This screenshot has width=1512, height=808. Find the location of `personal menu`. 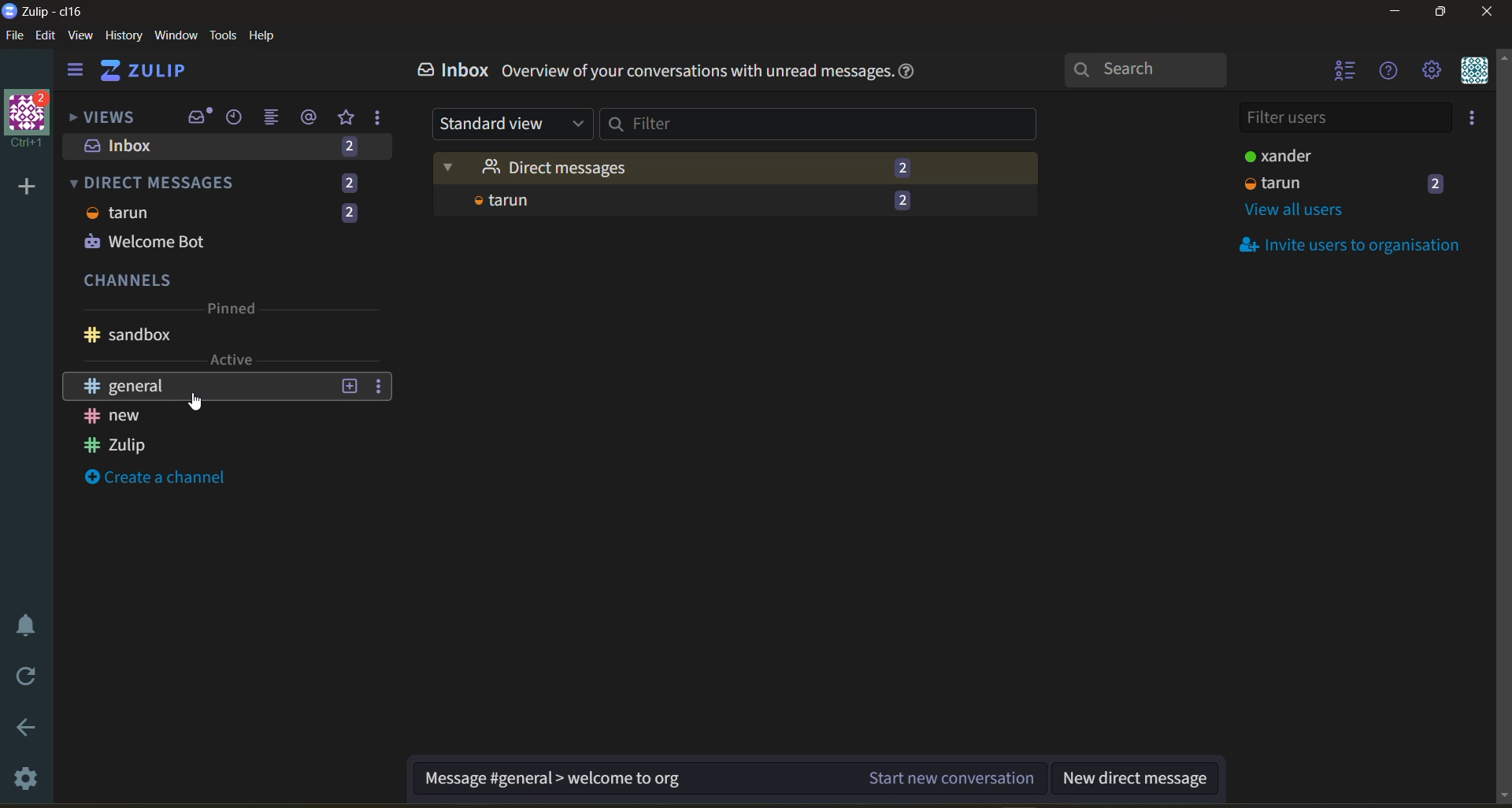

personal menu is located at coordinates (1472, 72).